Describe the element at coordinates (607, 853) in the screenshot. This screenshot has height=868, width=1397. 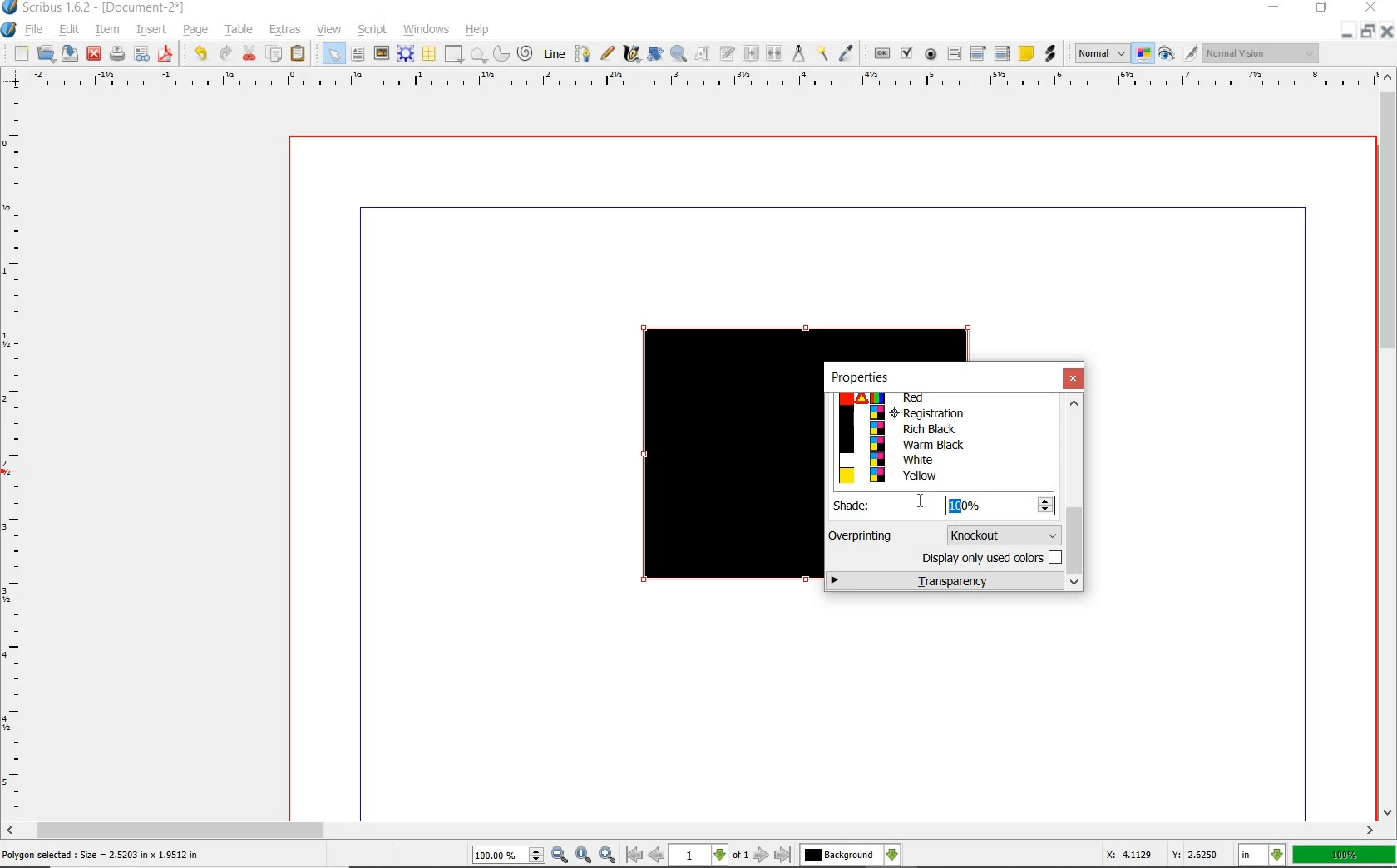
I see `zoom in` at that location.